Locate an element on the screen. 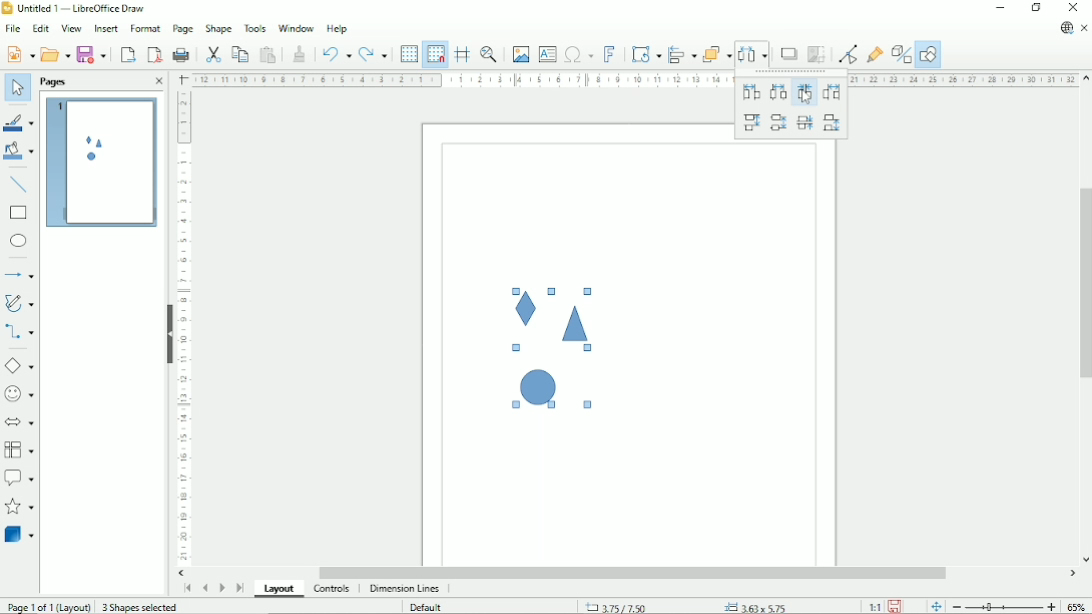 This screenshot has height=614, width=1092. Close is located at coordinates (158, 82).